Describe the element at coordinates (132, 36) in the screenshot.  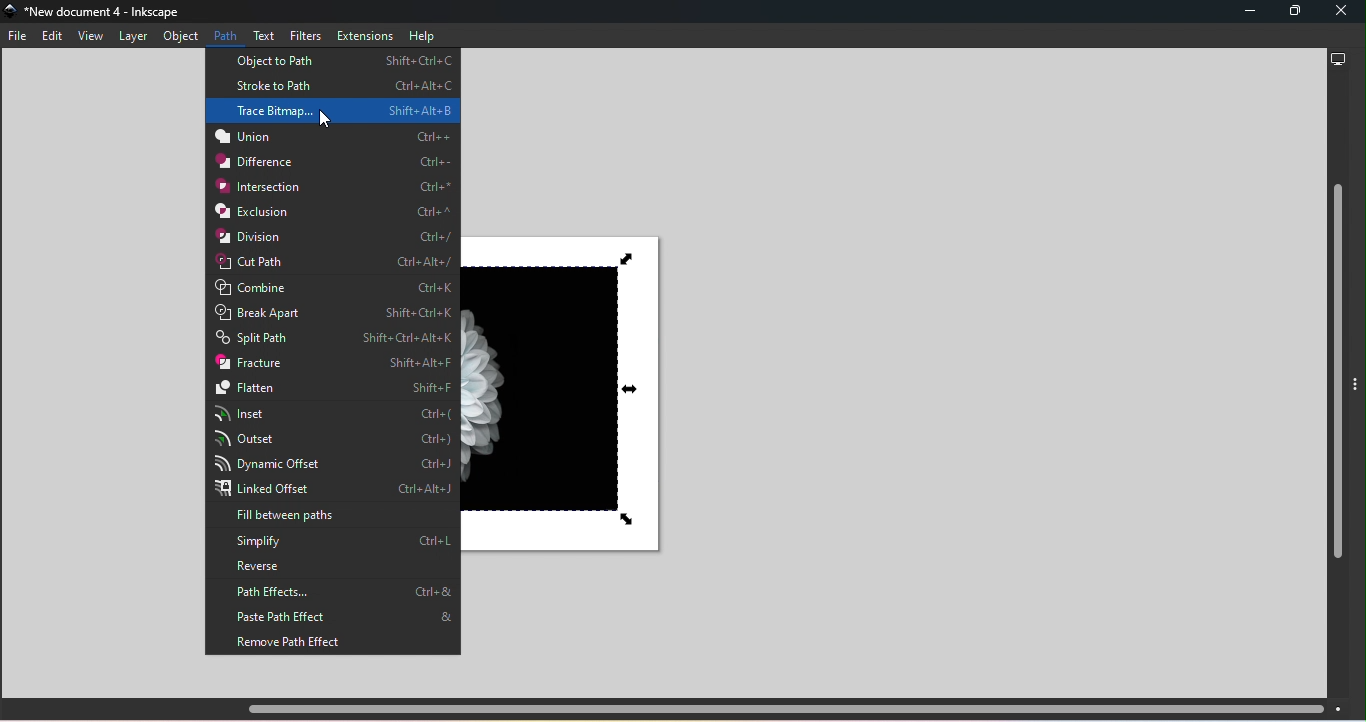
I see `Layer` at that location.